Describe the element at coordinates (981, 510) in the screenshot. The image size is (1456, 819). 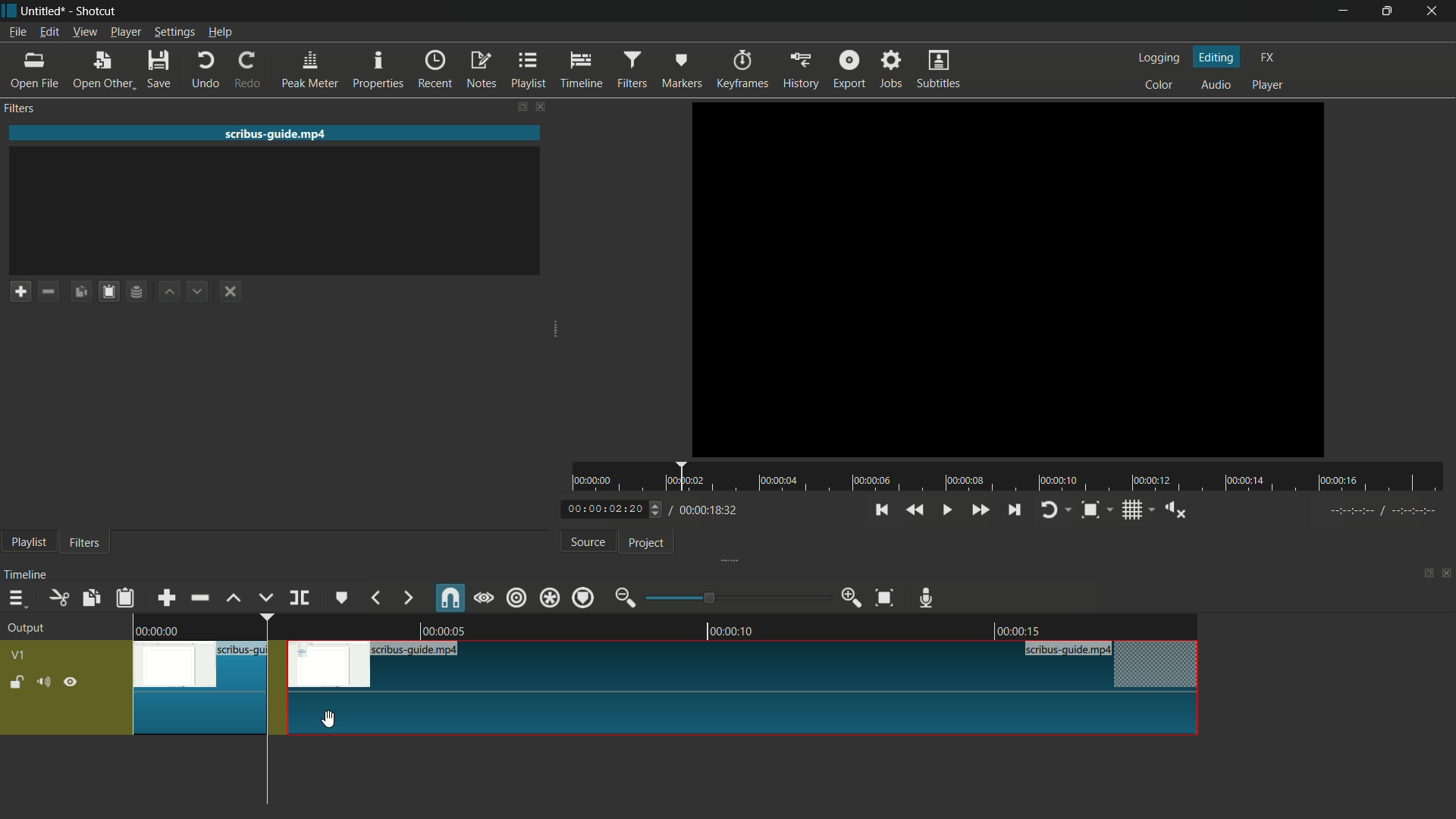
I see `quickly play forward` at that location.